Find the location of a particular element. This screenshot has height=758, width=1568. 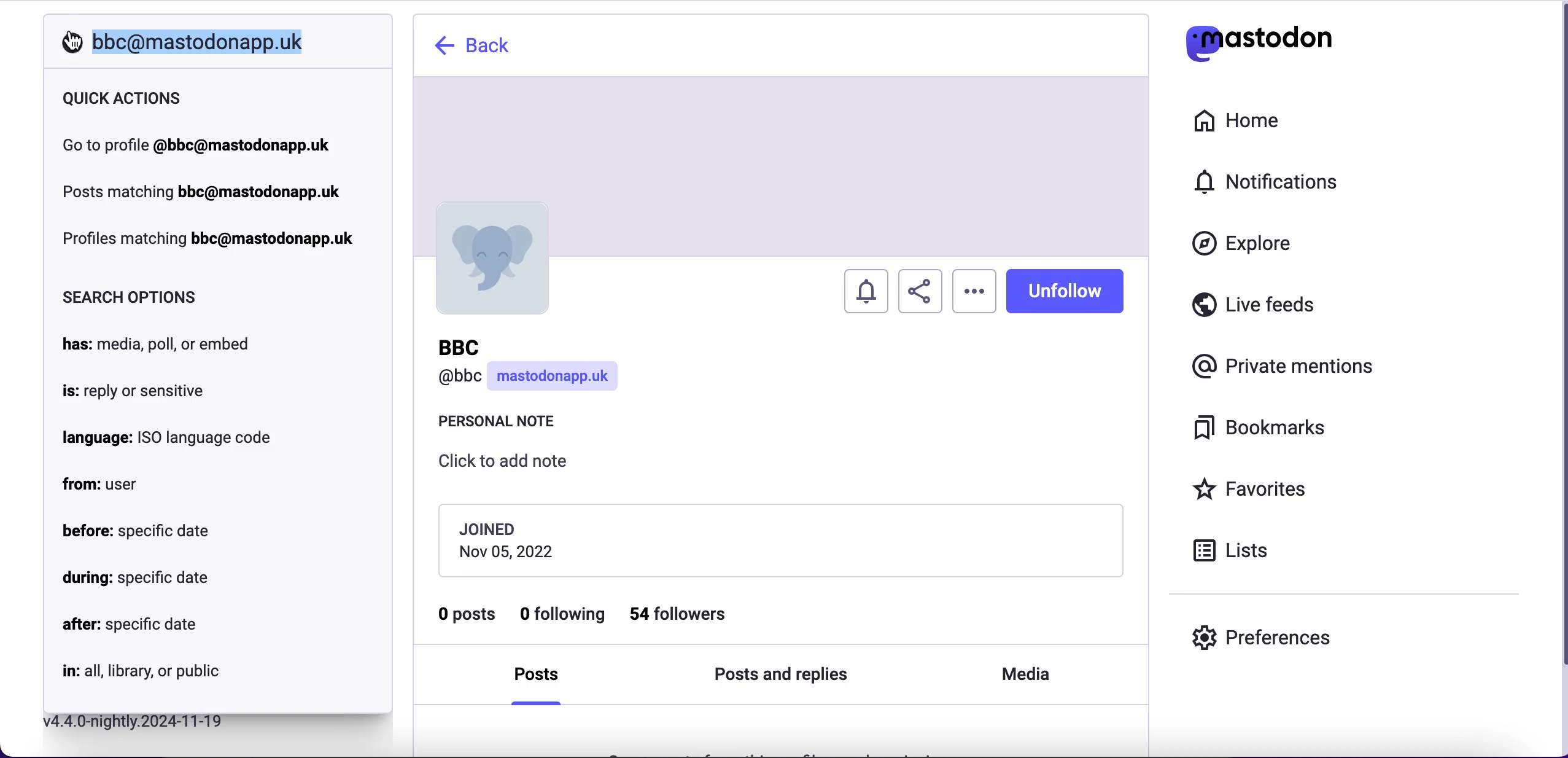

profile picture is located at coordinates (490, 258).